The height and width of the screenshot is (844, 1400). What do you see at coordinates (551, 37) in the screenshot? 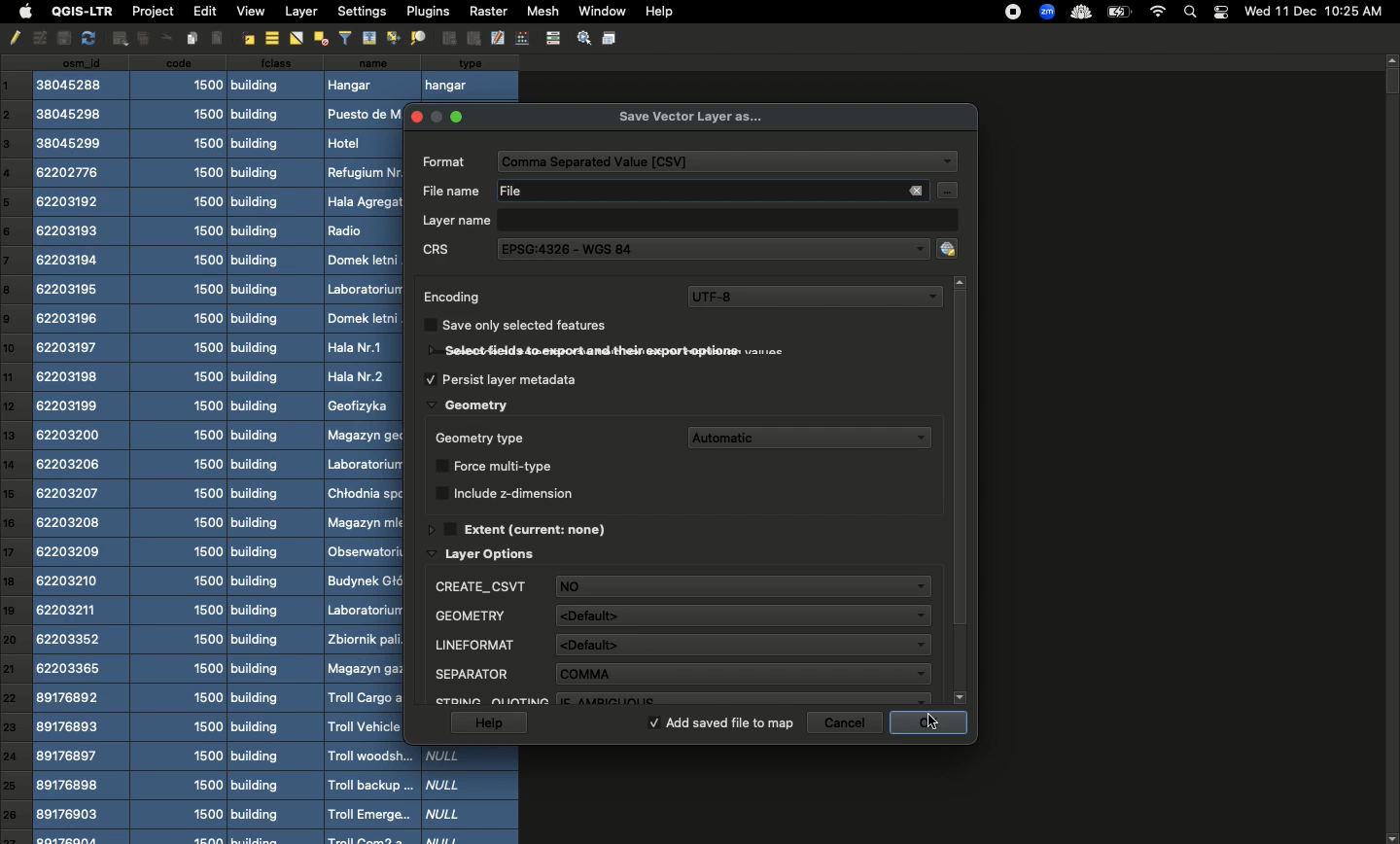
I see `control bar` at bounding box center [551, 37].